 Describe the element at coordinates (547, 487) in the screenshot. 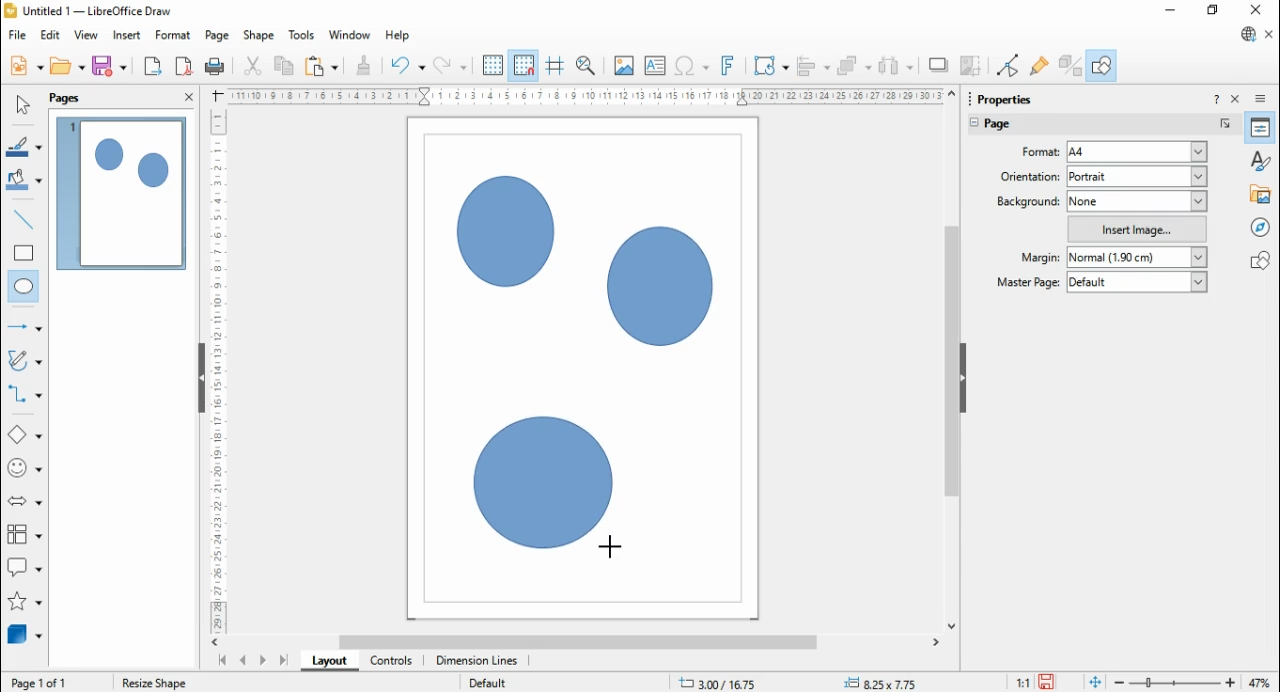

I see `Circle shape` at that location.